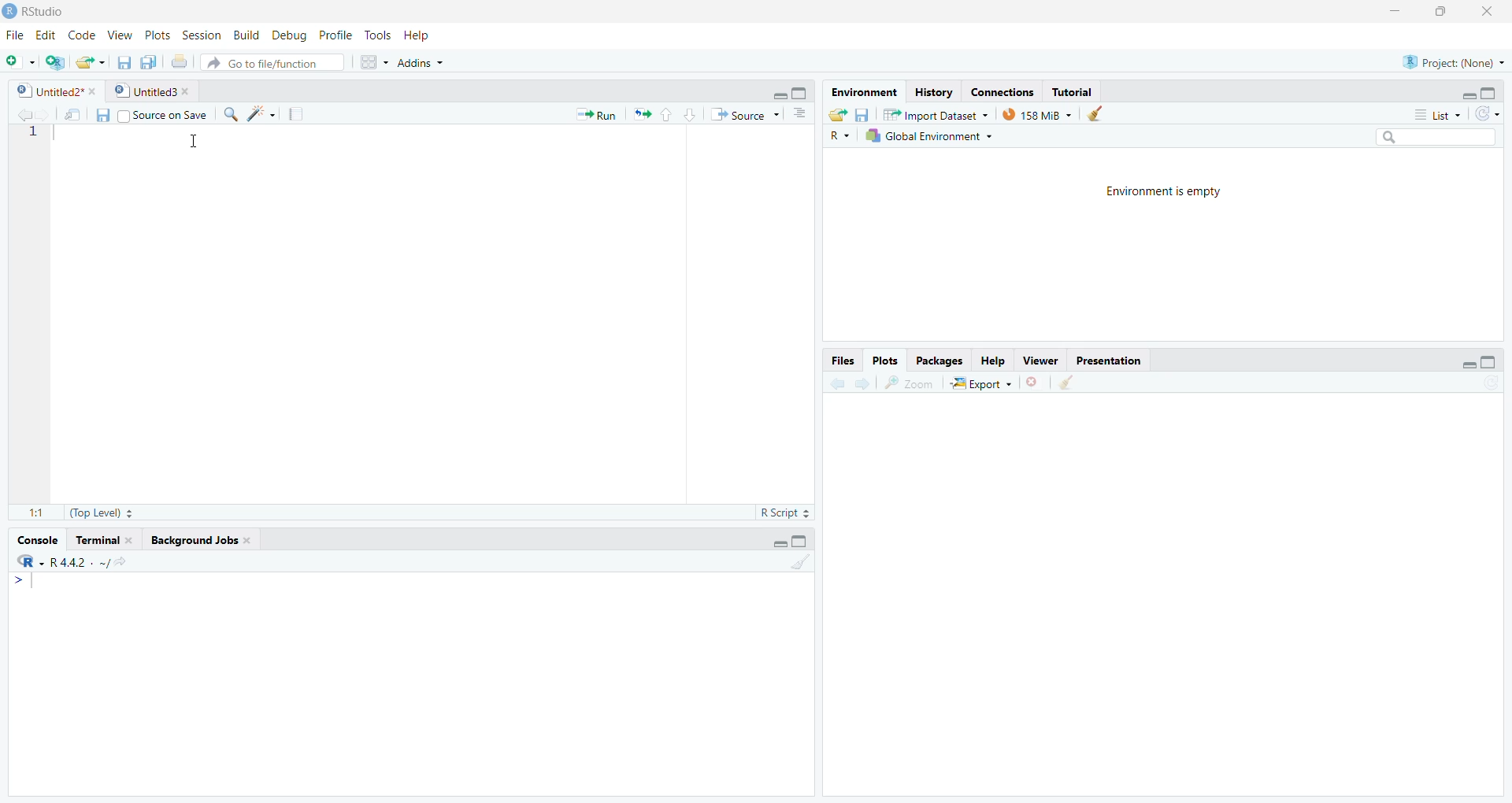  I want to click on , so click(1477, 358).